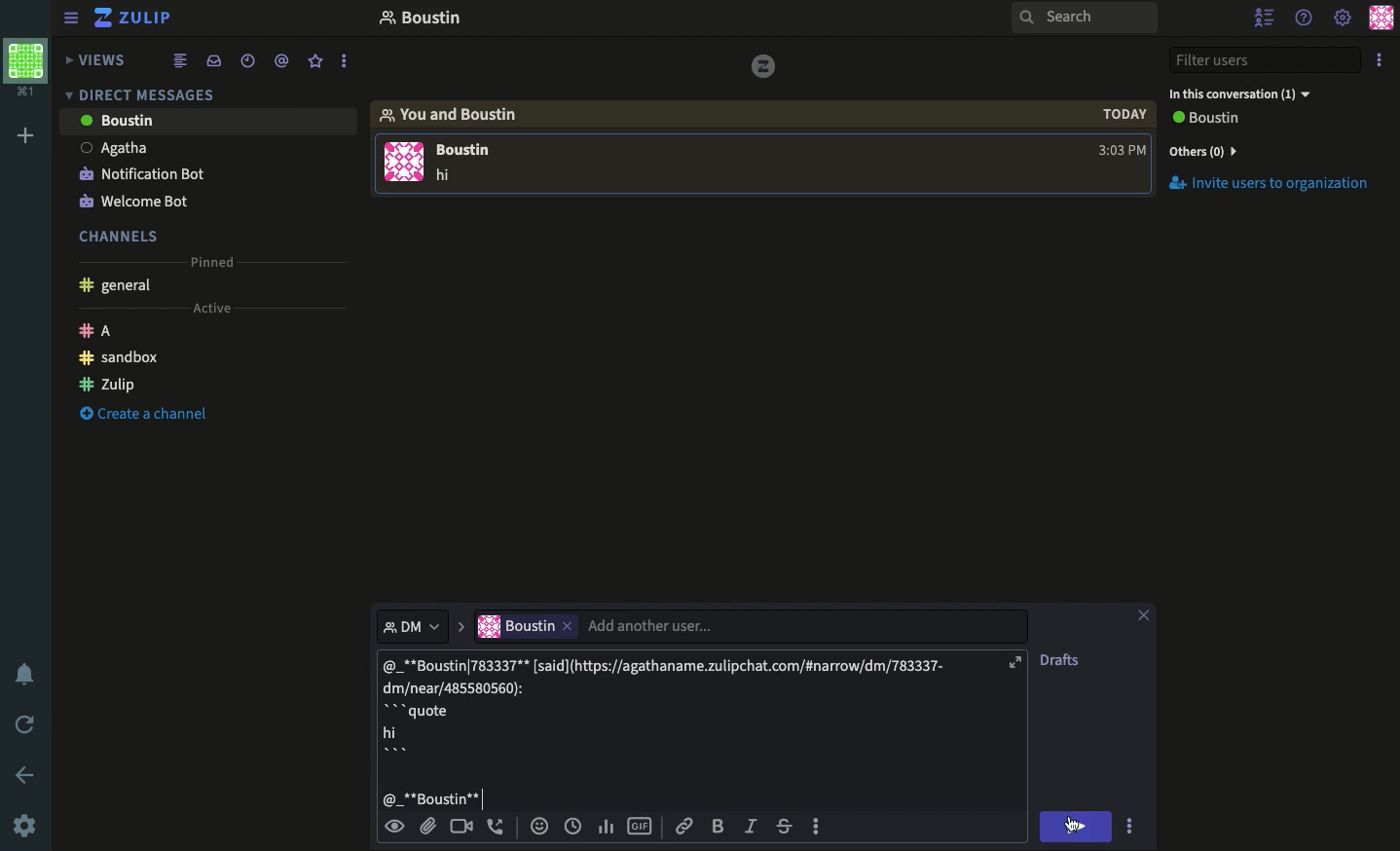 The width and height of the screenshot is (1400, 851). I want to click on User, so click(208, 120).